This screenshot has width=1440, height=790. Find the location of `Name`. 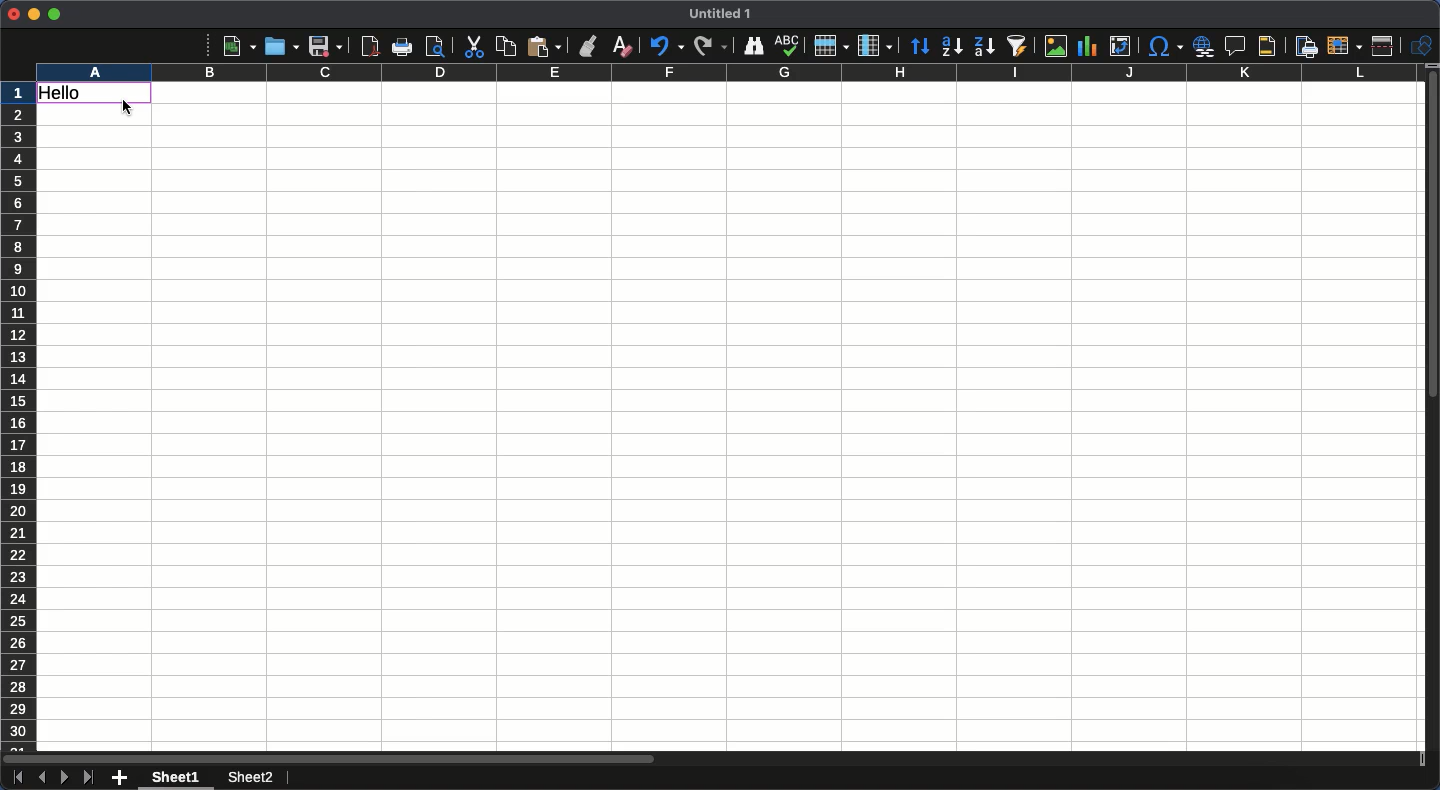

Name is located at coordinates (723, 13).